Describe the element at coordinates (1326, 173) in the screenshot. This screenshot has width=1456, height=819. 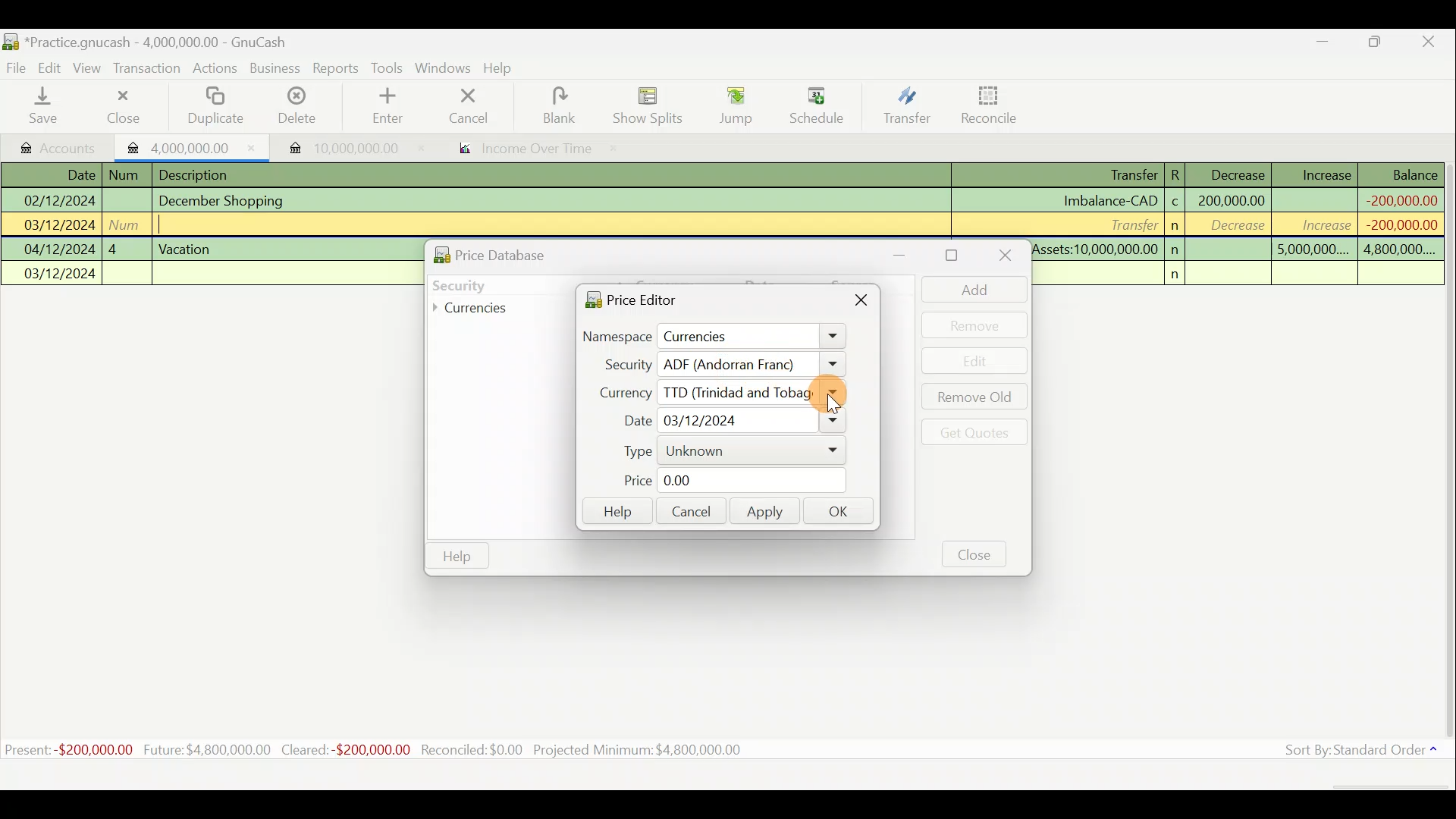
I see `Increase` at that location.